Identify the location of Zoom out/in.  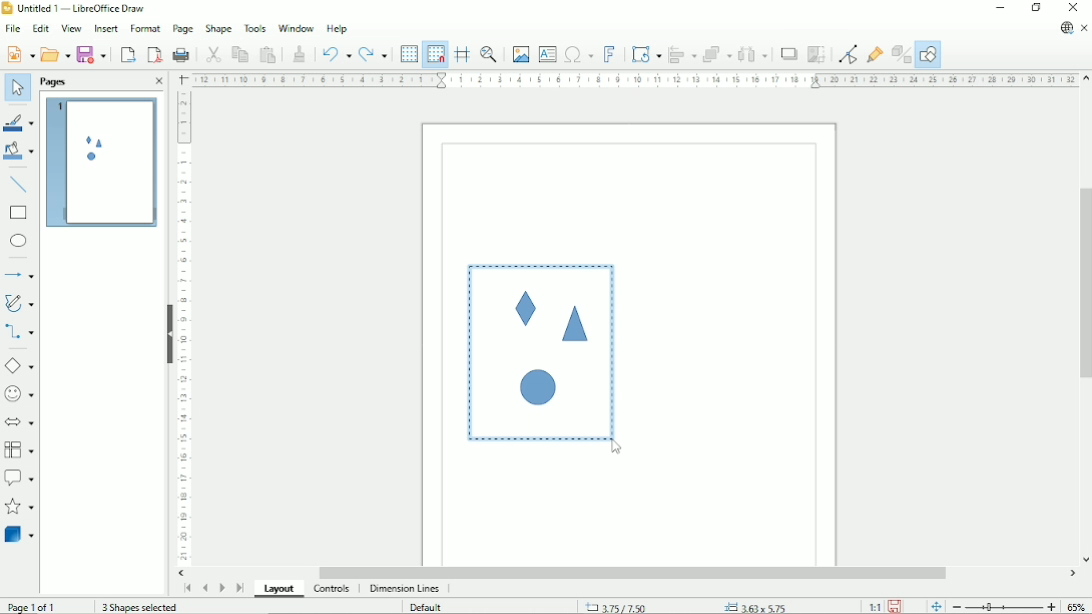
(1003, 607).